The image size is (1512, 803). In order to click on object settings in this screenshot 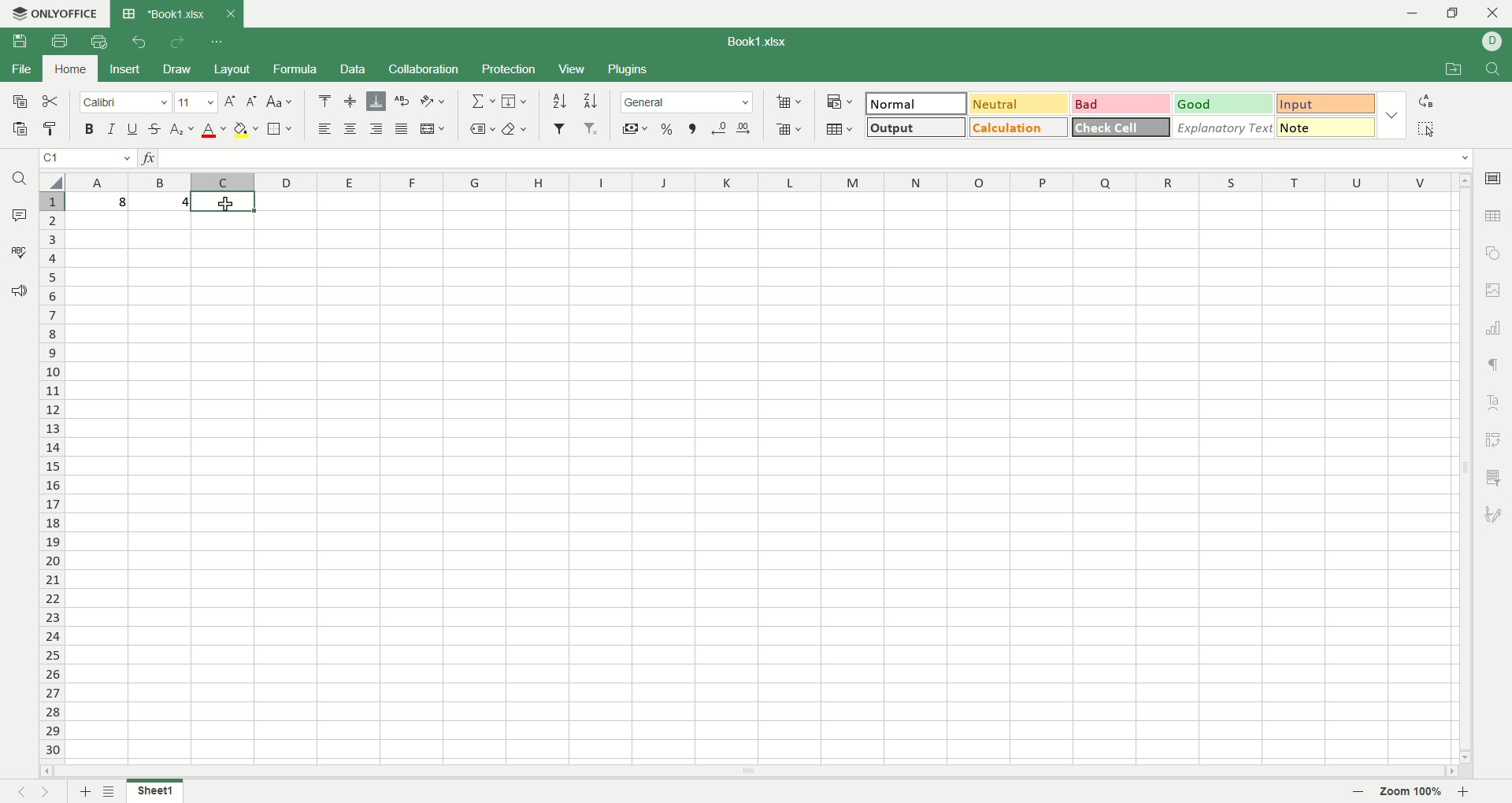, I will do `click(1494, 253)`.